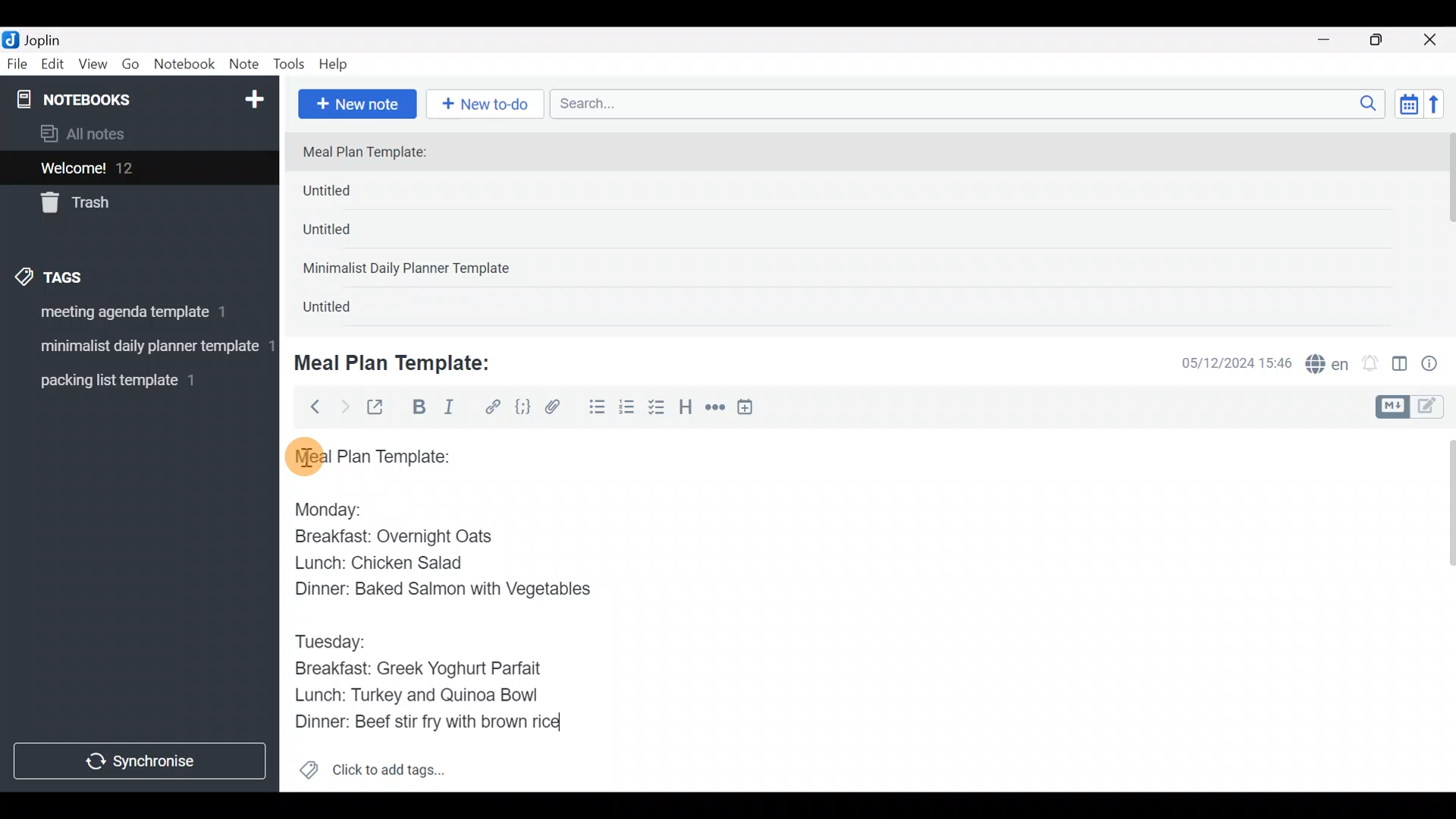  Describe the element at coordinates (439, 588) in the screenshot. I see `Dinner: Baked Salmon with Vegetables` at that location.